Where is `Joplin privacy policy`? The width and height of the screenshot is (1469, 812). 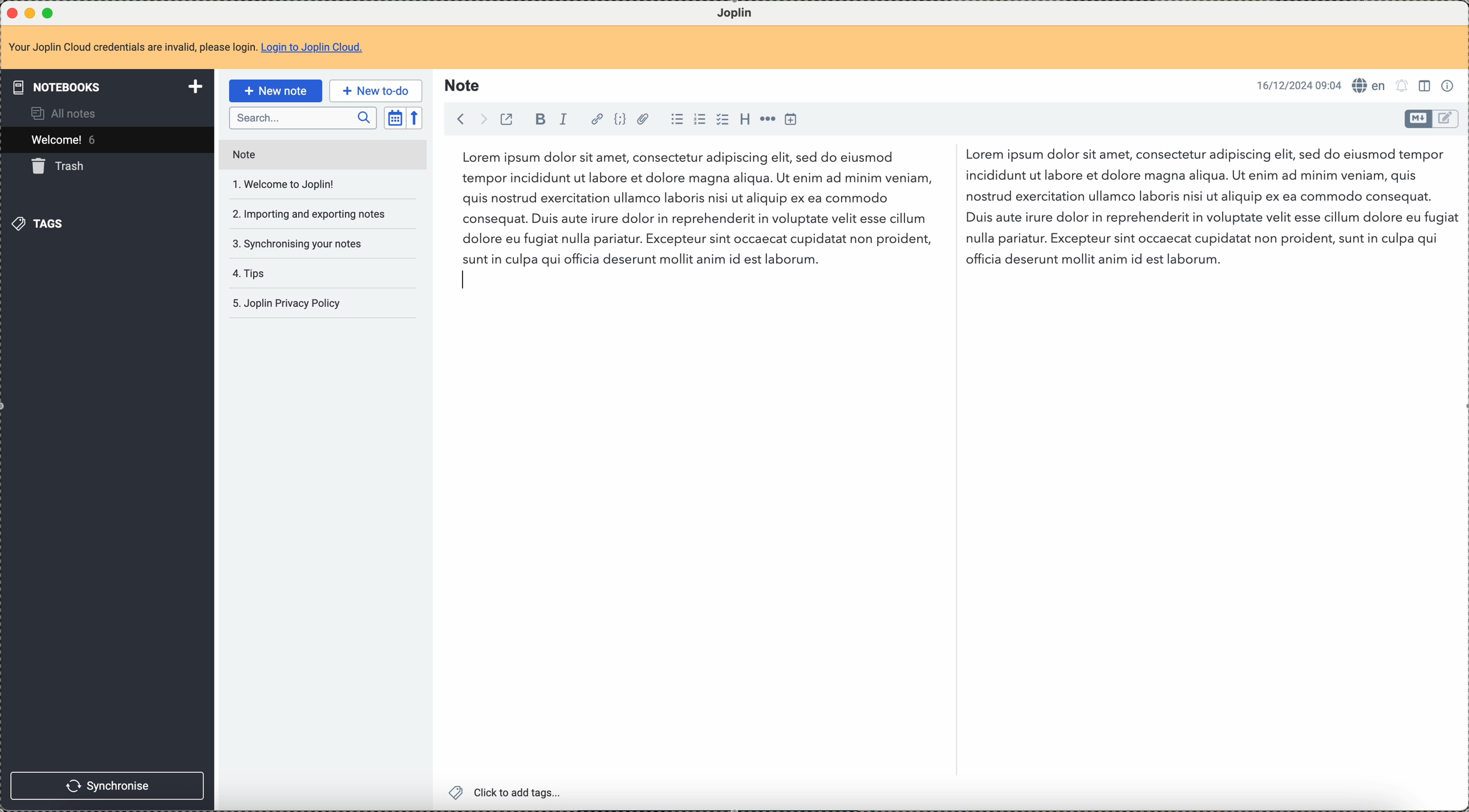
Joplin privacy policy is located at coordinates (288, 302).